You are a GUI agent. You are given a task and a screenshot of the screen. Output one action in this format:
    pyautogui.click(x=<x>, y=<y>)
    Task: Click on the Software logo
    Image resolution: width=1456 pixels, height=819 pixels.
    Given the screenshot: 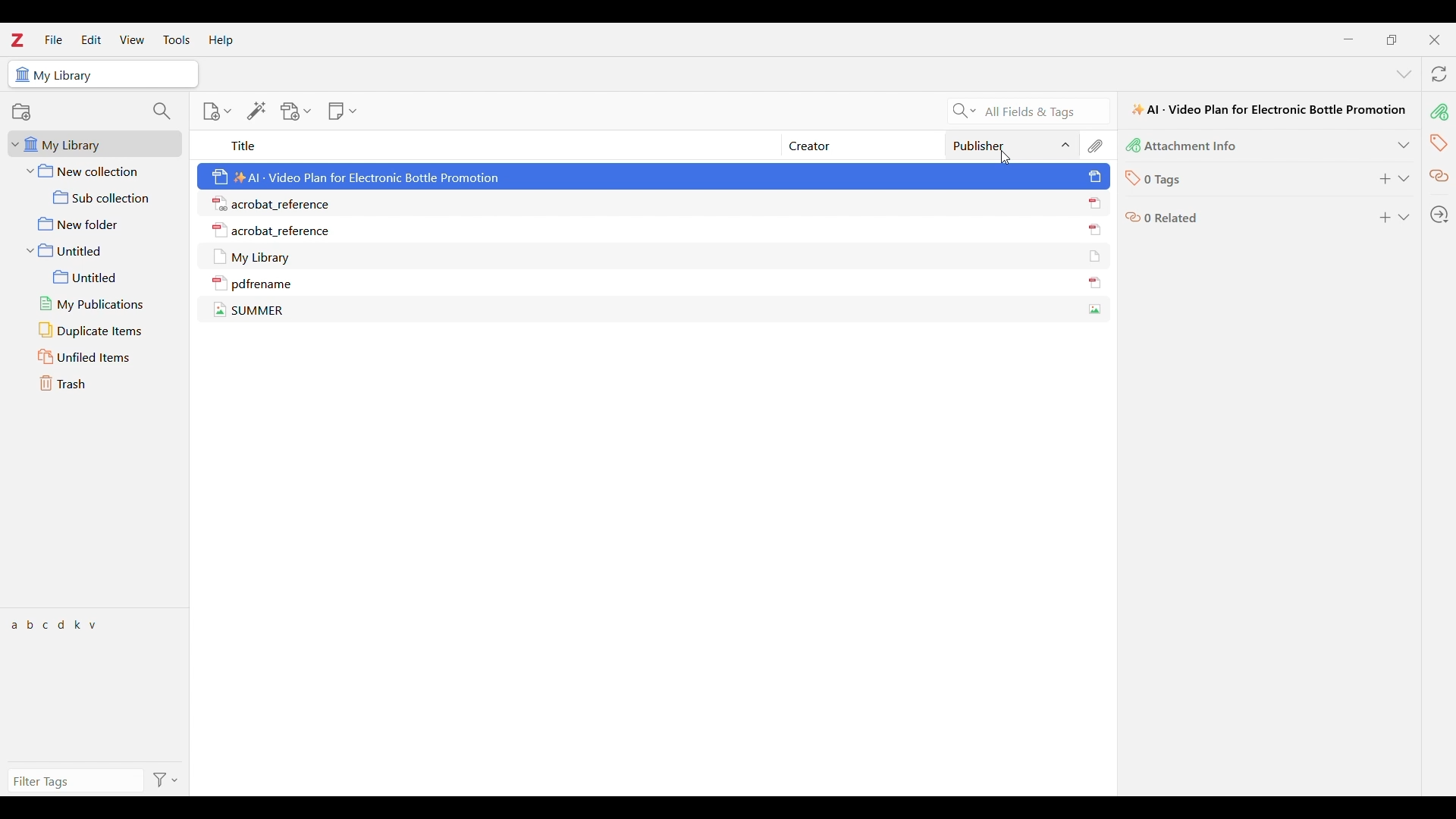 What is the action you would take?
    pyautogui.click(x=18, y=40)
    